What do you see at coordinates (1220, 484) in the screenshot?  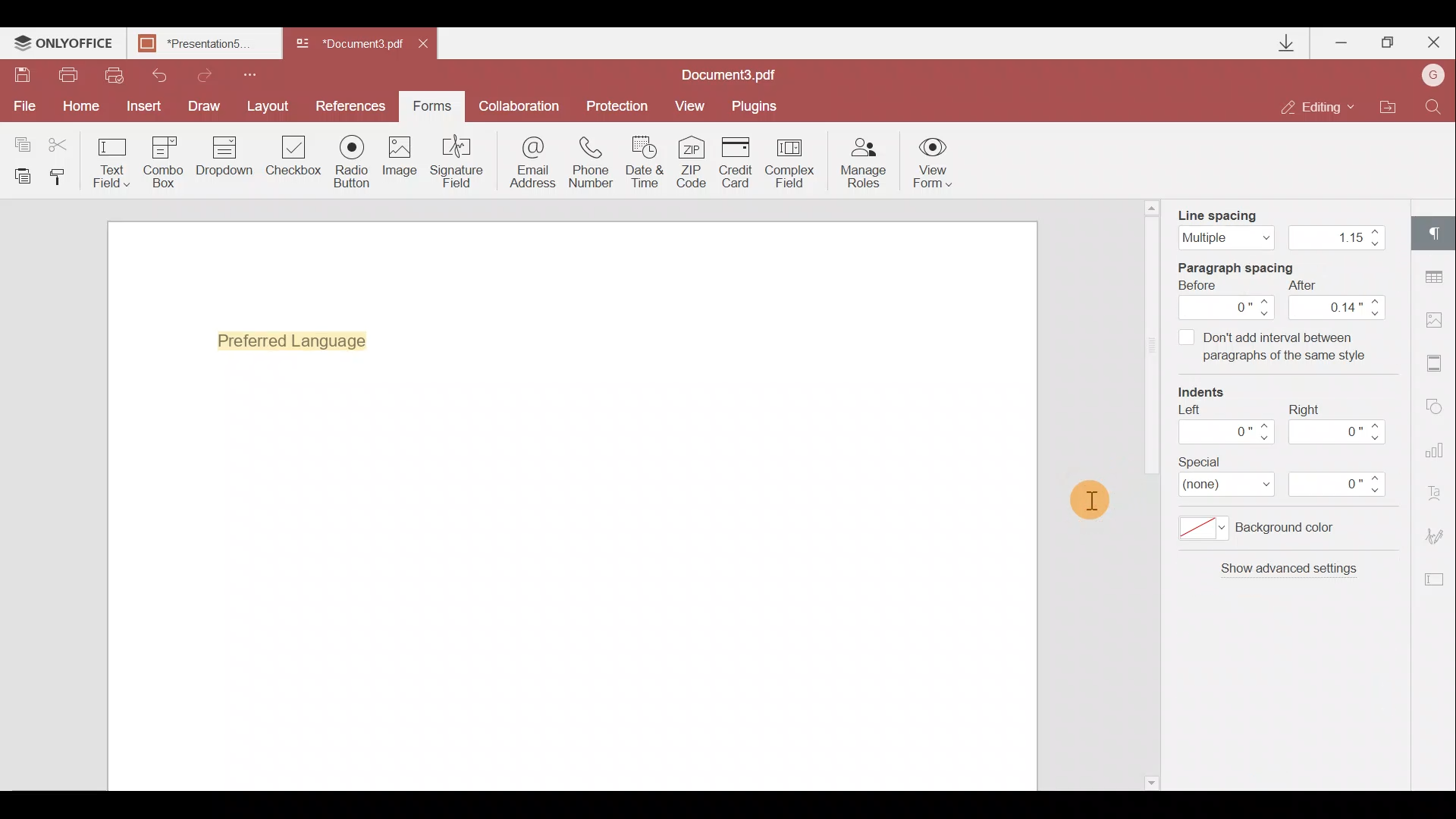 I see `(none)` at bounding box center [1220, 484].